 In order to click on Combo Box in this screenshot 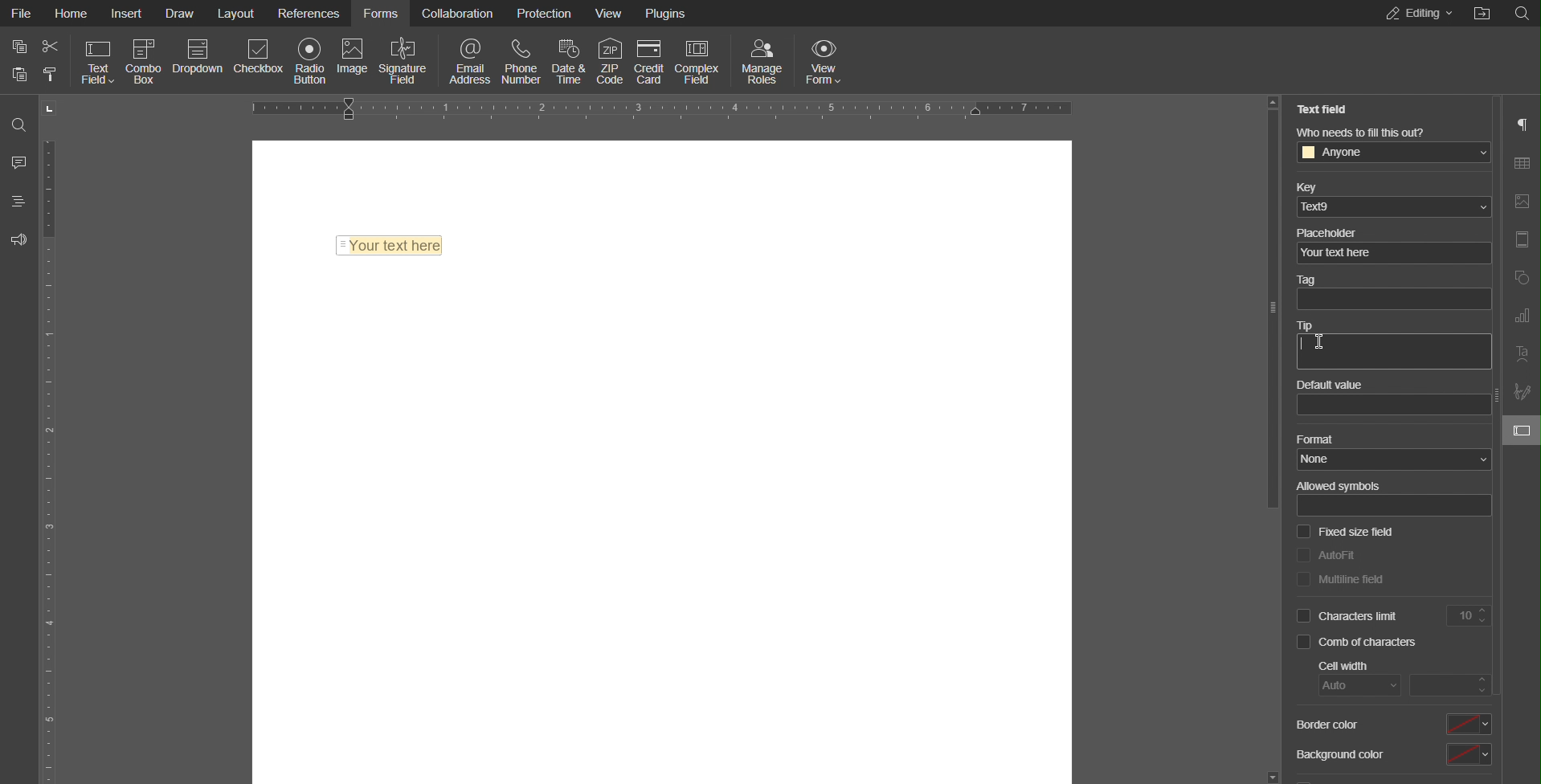, I will do `click(145, 61)`.